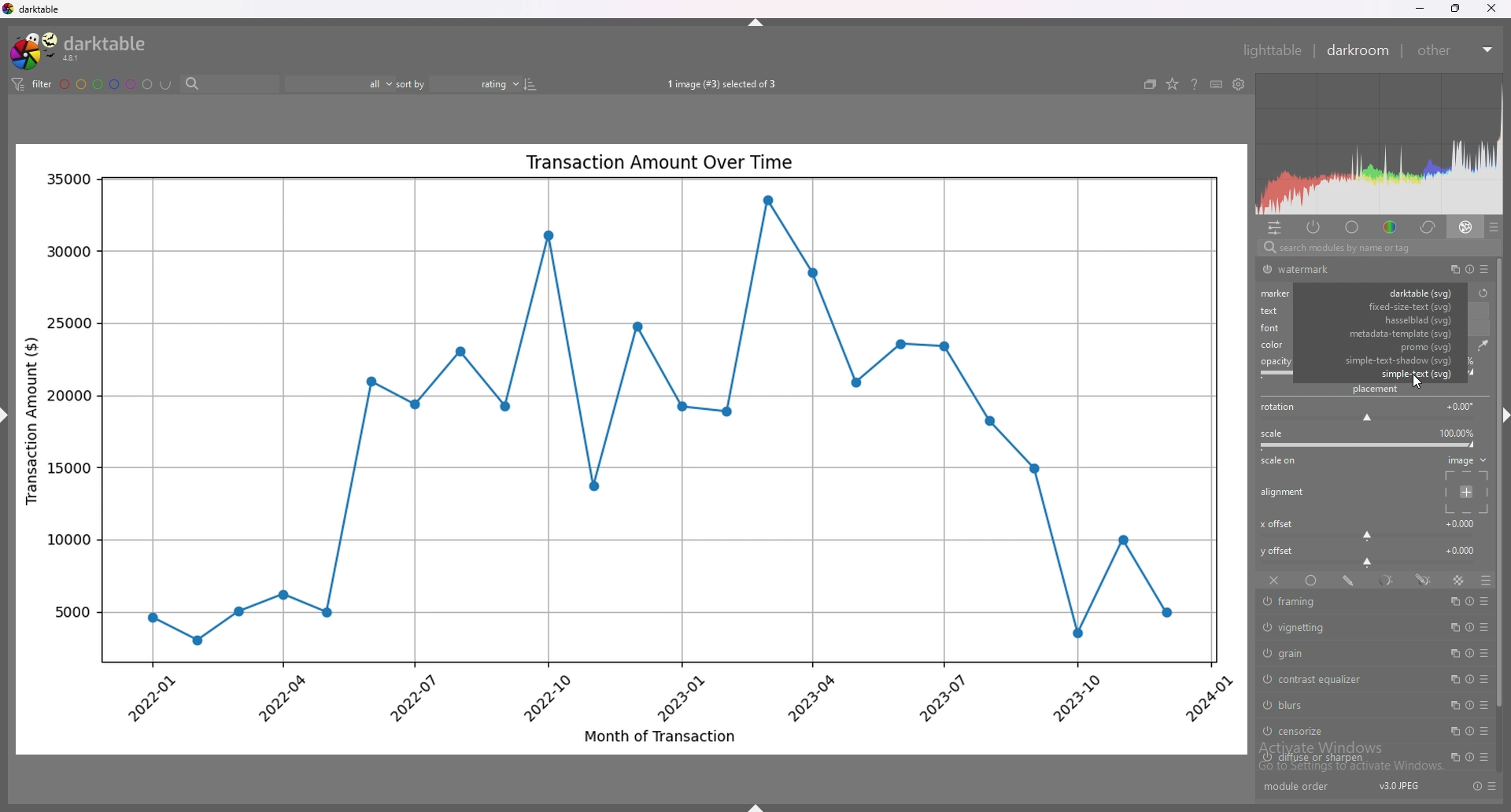  Describe the element at coordinates (1461, 549) in the screenshot. I see `y offset` at that location.